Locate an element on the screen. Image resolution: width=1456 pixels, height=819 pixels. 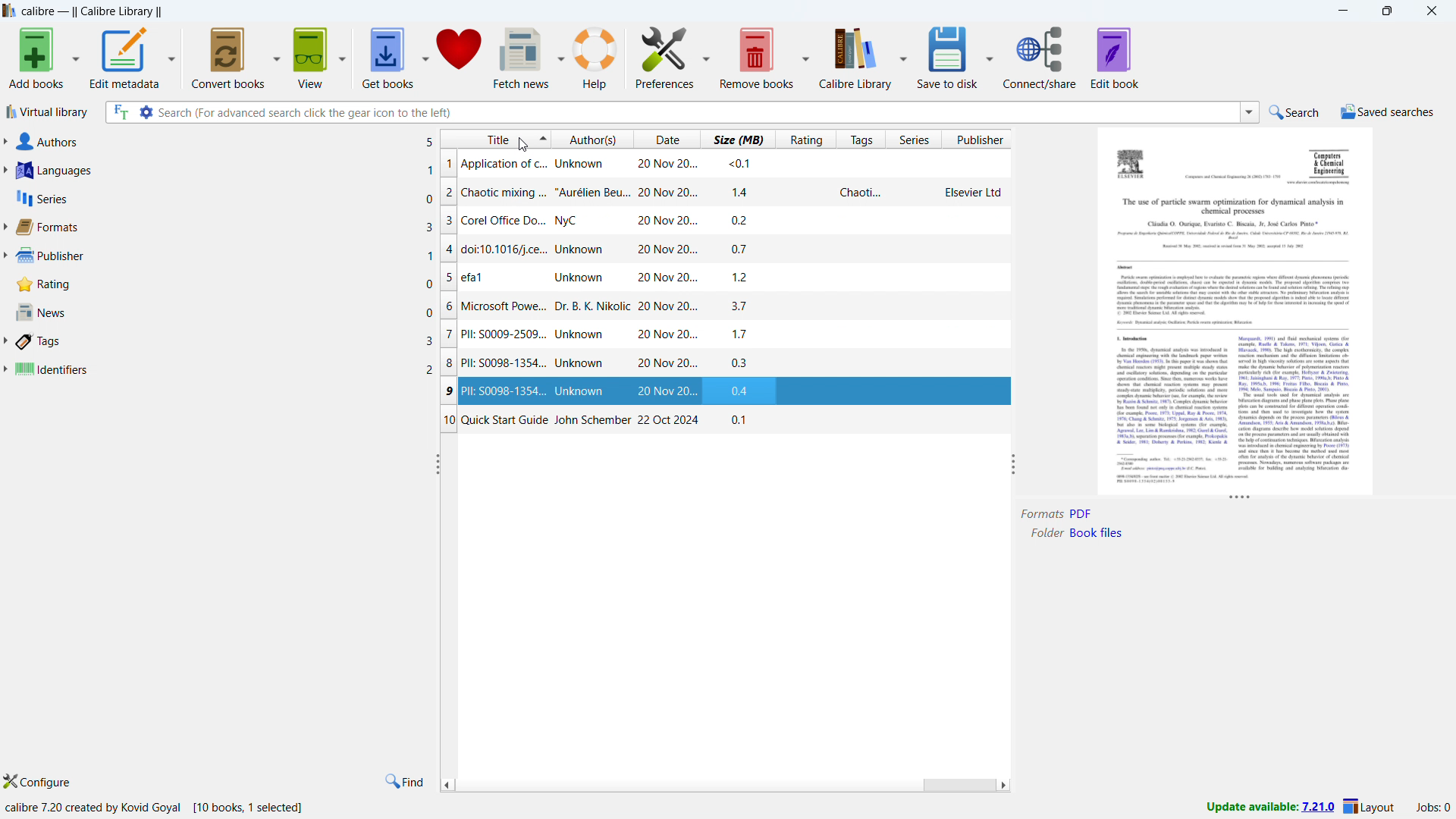
04 is located at coordinates (745, 391).